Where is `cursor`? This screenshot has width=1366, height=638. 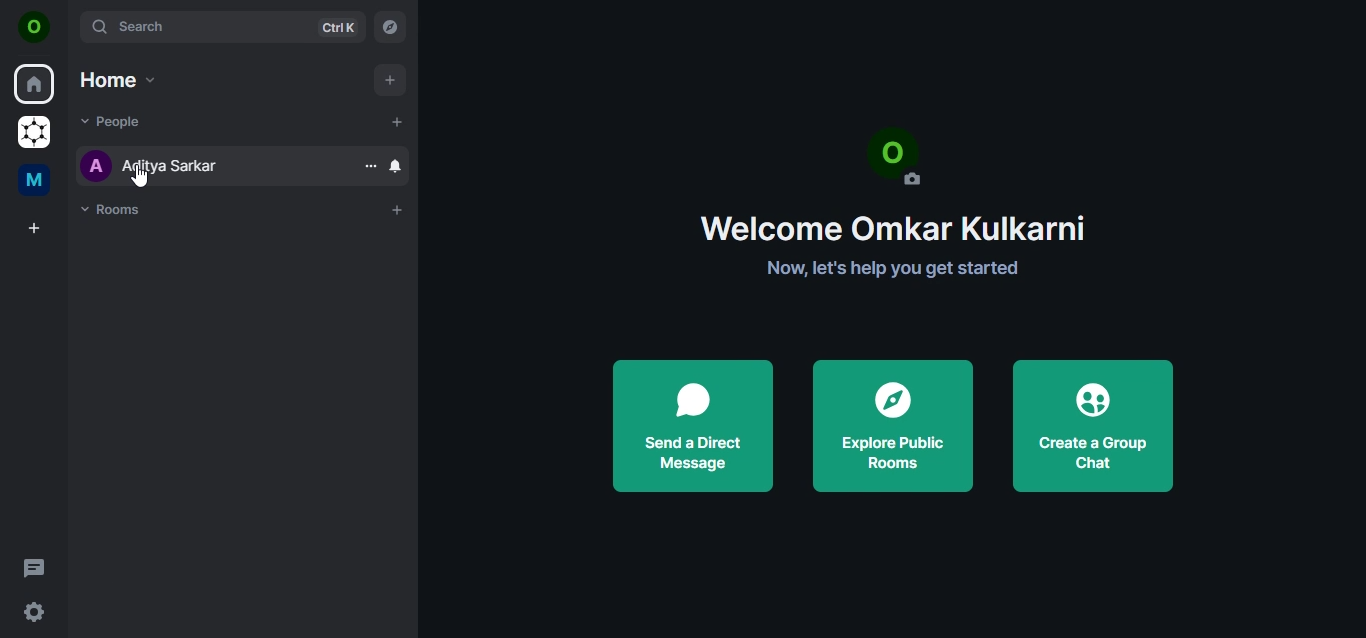 cursor is located at coordinates (140, 178).